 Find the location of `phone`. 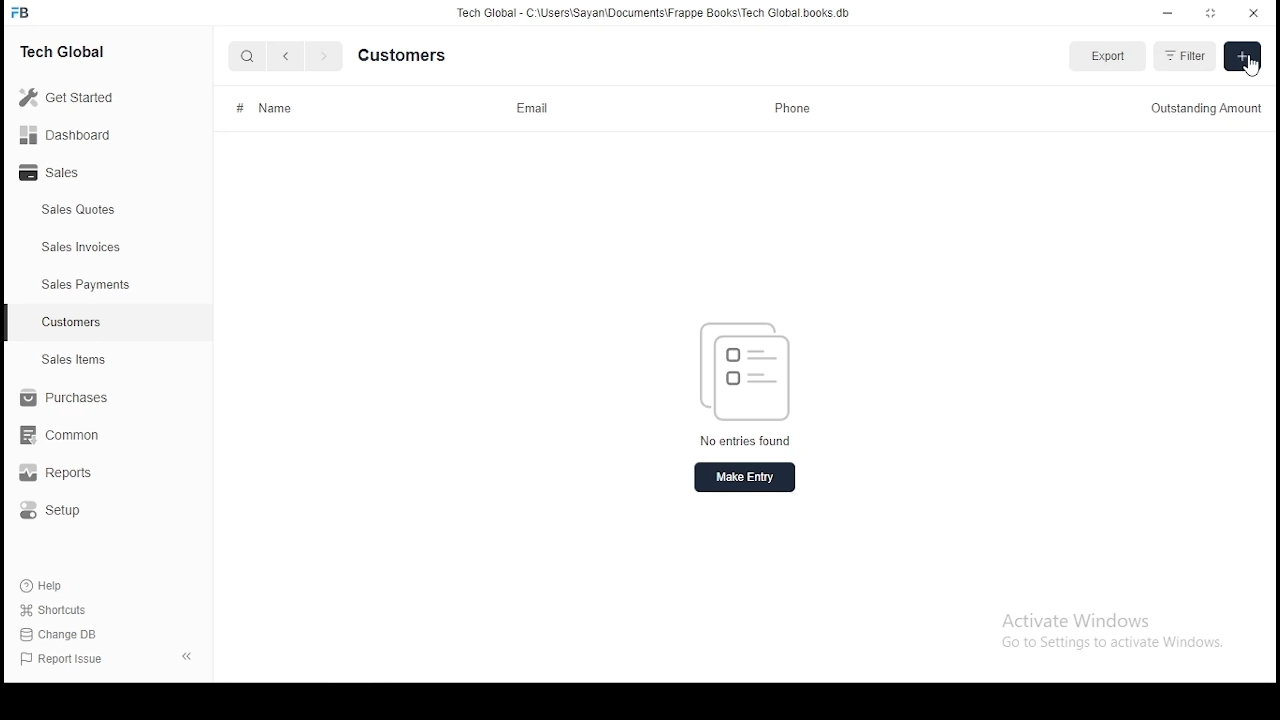

phone is located at coordinates (793, 107).